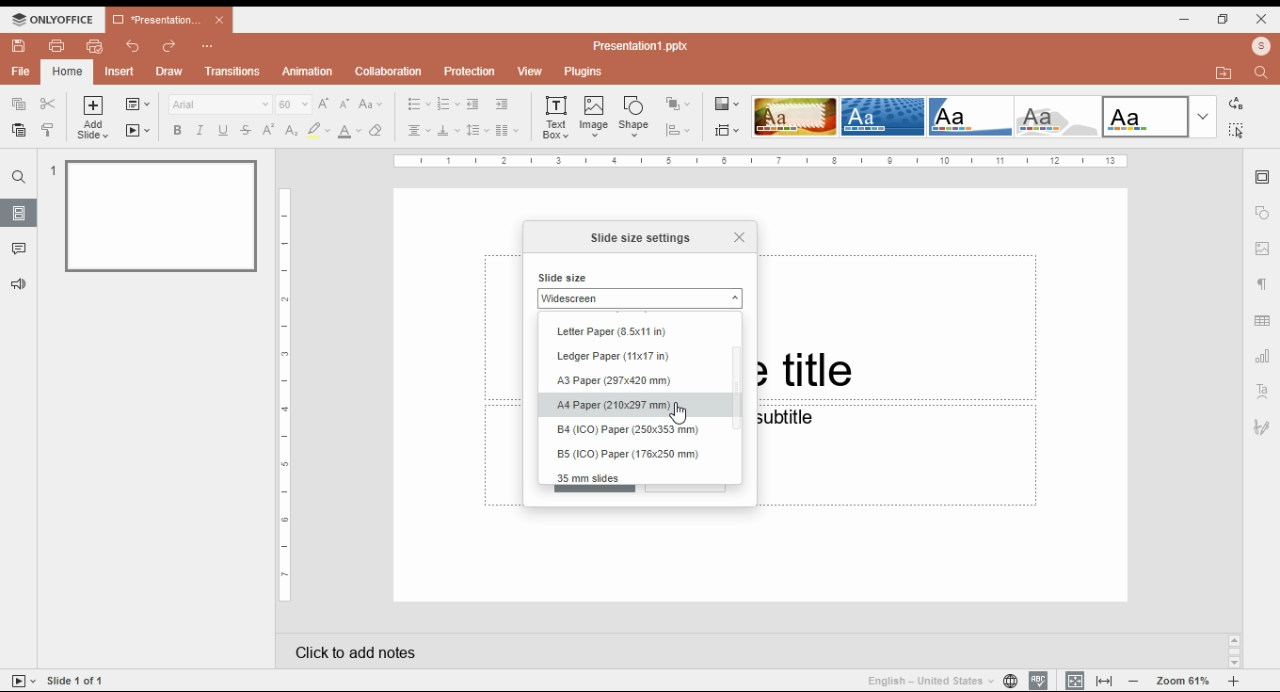 The width and height of the screenshot is (1280, 692). Describe the element at coordinates (639, 298) in the screenshot. I see `Widescreen` at that location.